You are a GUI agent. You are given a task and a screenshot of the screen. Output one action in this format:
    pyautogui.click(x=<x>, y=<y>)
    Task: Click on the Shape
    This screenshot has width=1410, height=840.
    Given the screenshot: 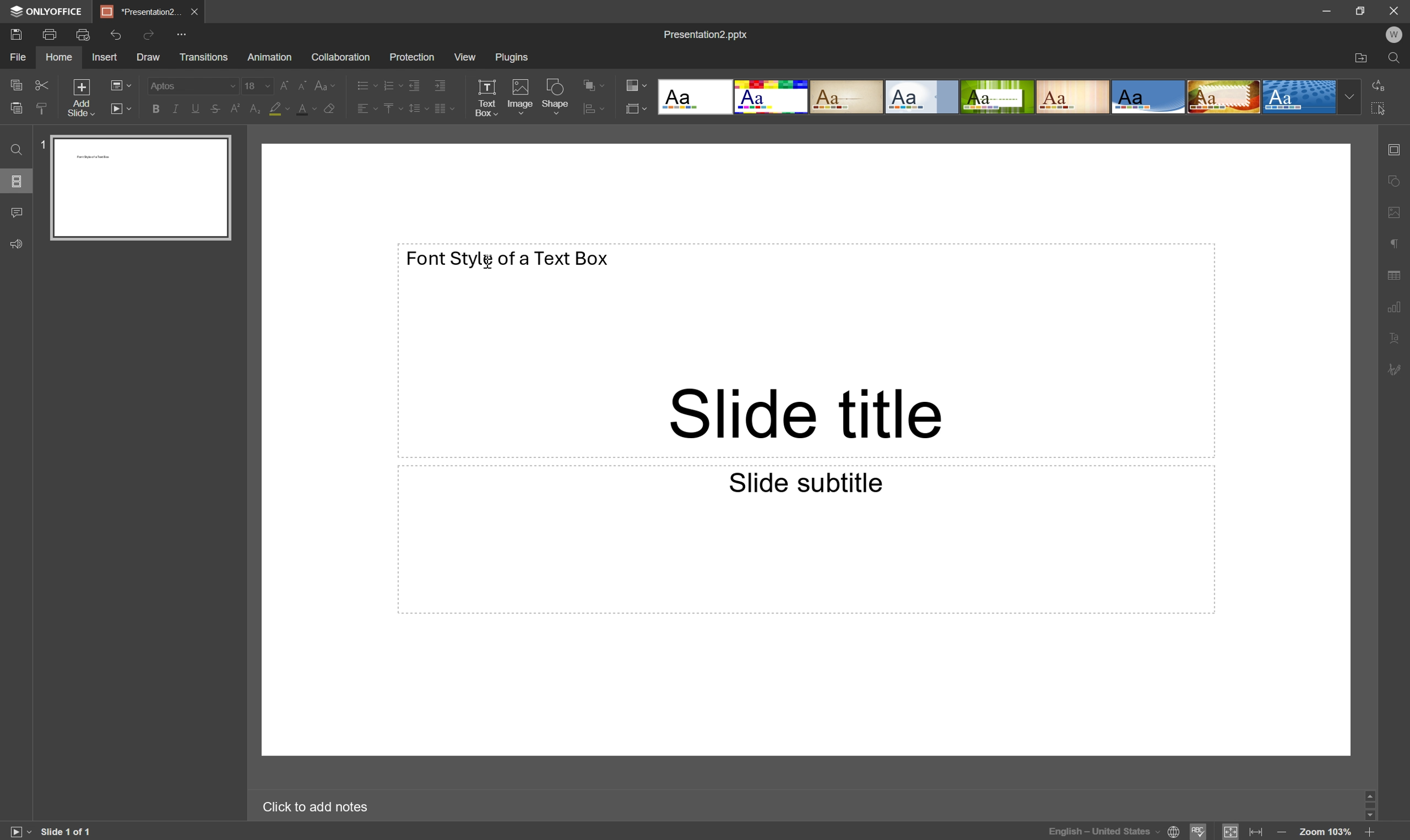 What is the action you would take?
    pyautogui.click(x=558, y=97)
    